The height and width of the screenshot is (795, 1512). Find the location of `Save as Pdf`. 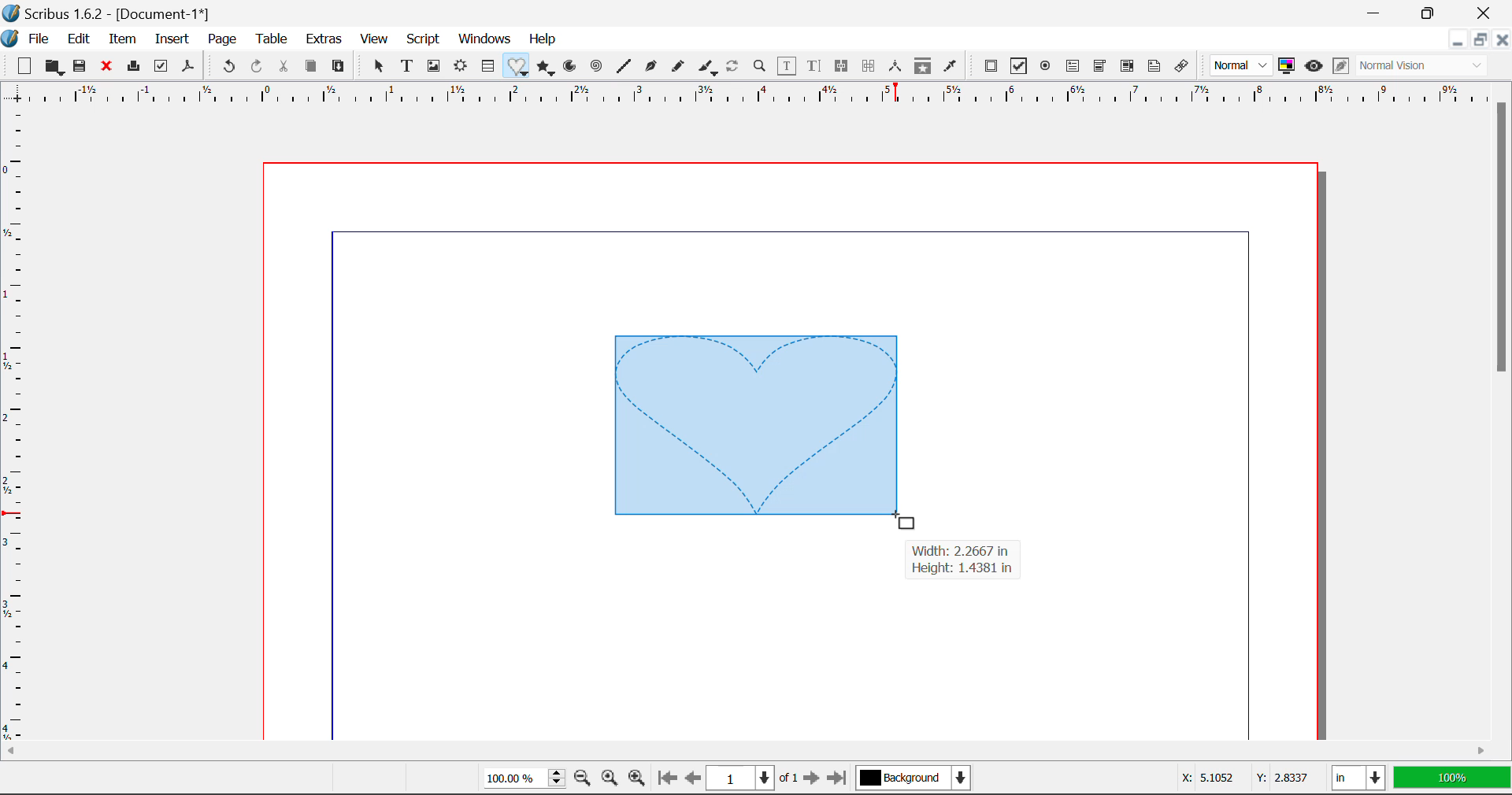

Save as Pdf is located at coordinates (187, 68).